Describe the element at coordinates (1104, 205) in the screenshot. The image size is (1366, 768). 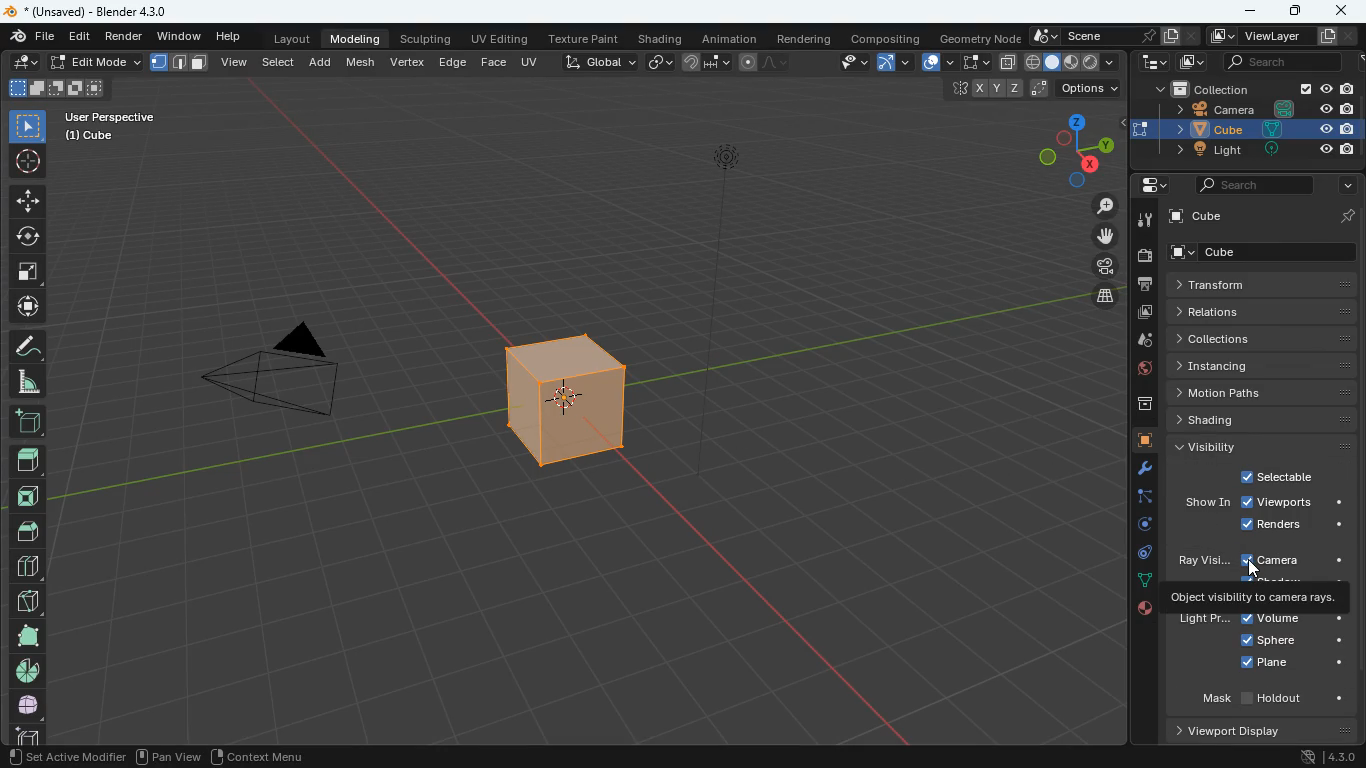
I see `zoom` at that location.